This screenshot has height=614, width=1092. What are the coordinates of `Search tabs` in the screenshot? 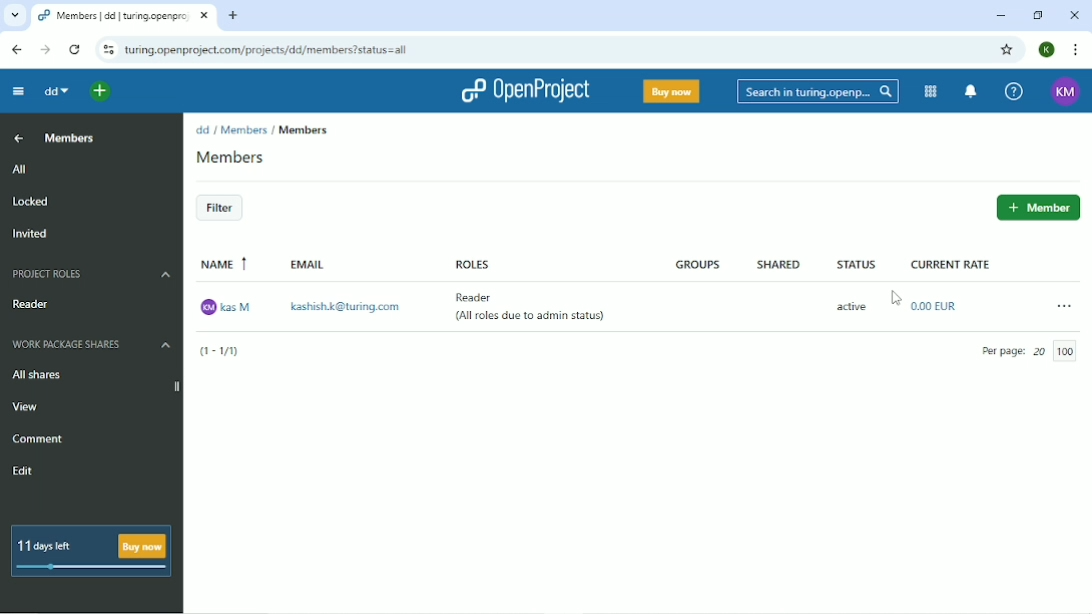 It's located at (14, 16).